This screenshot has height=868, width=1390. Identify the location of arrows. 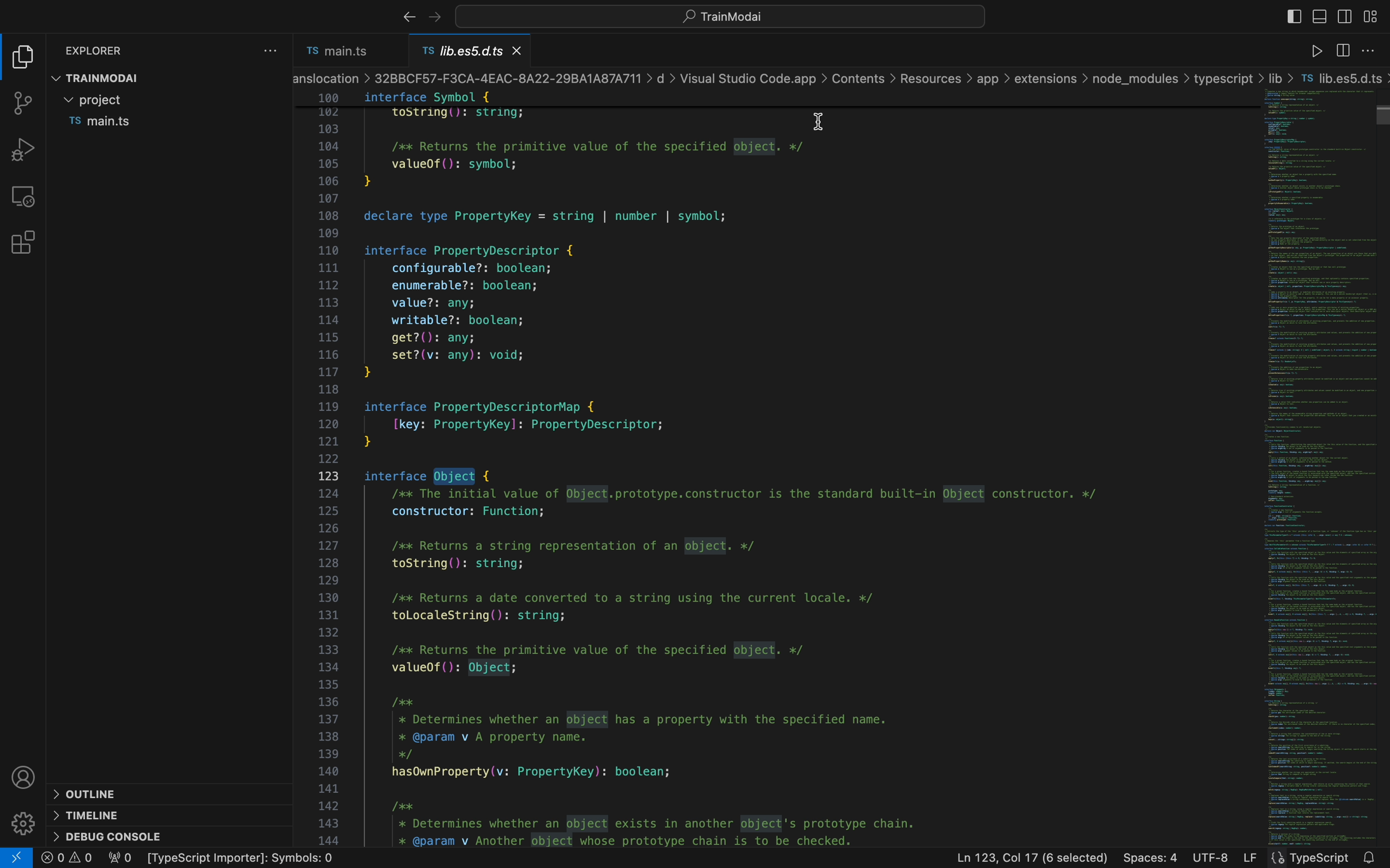
(434, 19).